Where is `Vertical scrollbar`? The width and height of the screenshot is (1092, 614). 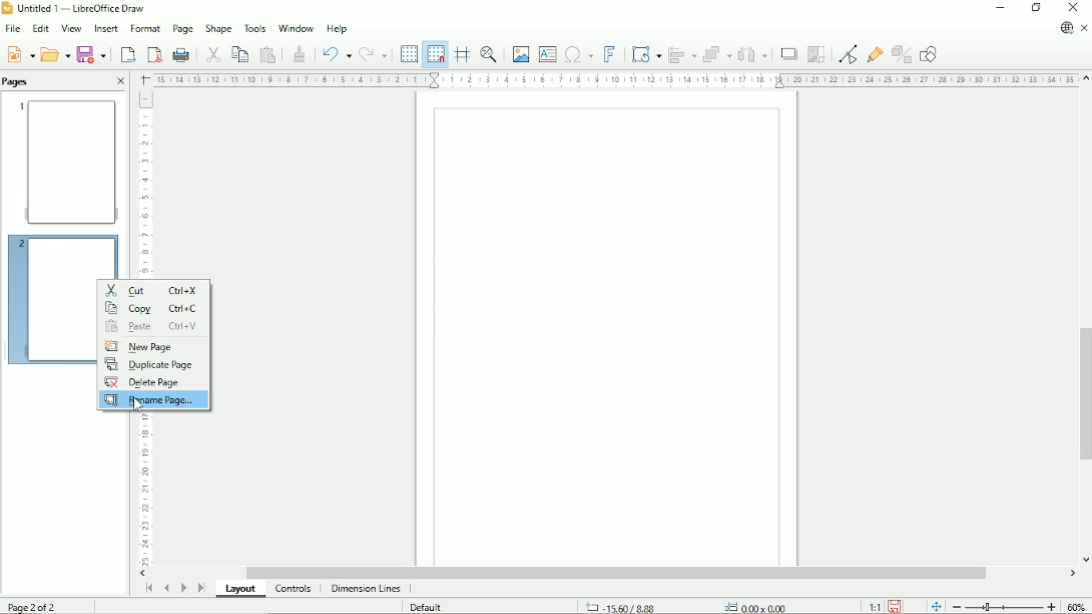 Vertical scrollbar is located at coordinates (1082, 395).